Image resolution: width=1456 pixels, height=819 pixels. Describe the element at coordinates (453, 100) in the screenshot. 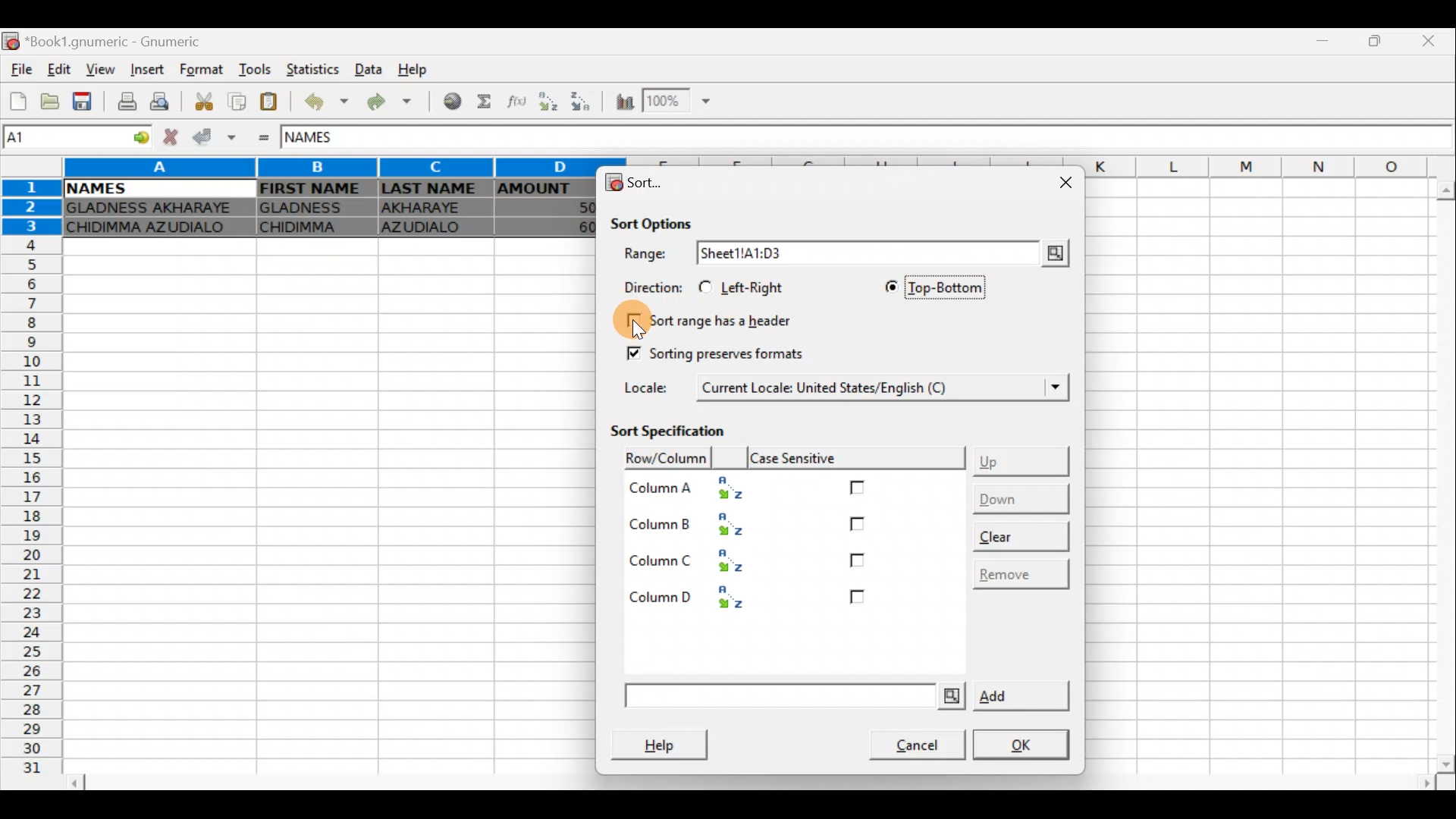

I see `Insert hyperlink` at that location.